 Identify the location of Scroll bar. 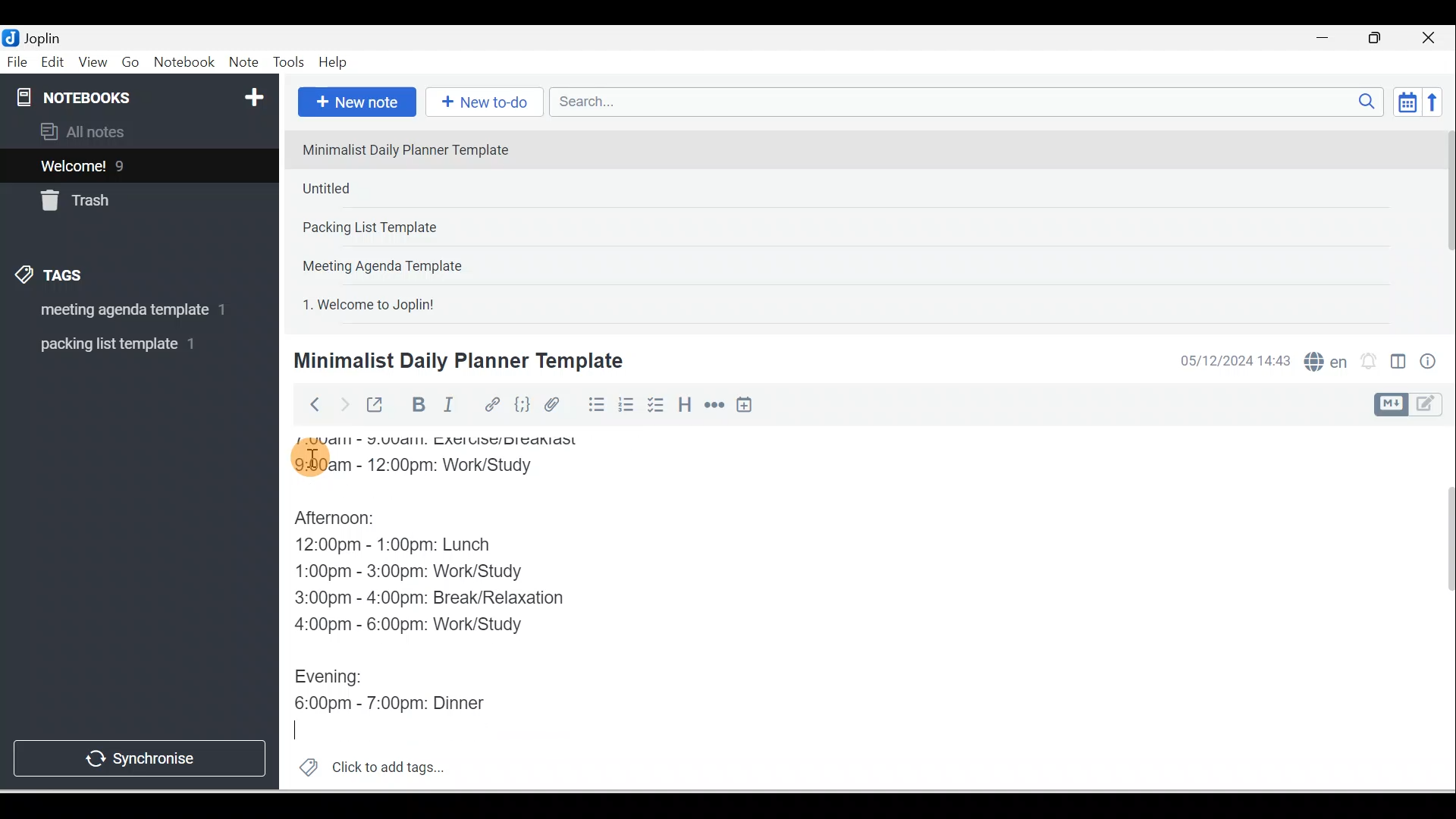
(1444, 224).